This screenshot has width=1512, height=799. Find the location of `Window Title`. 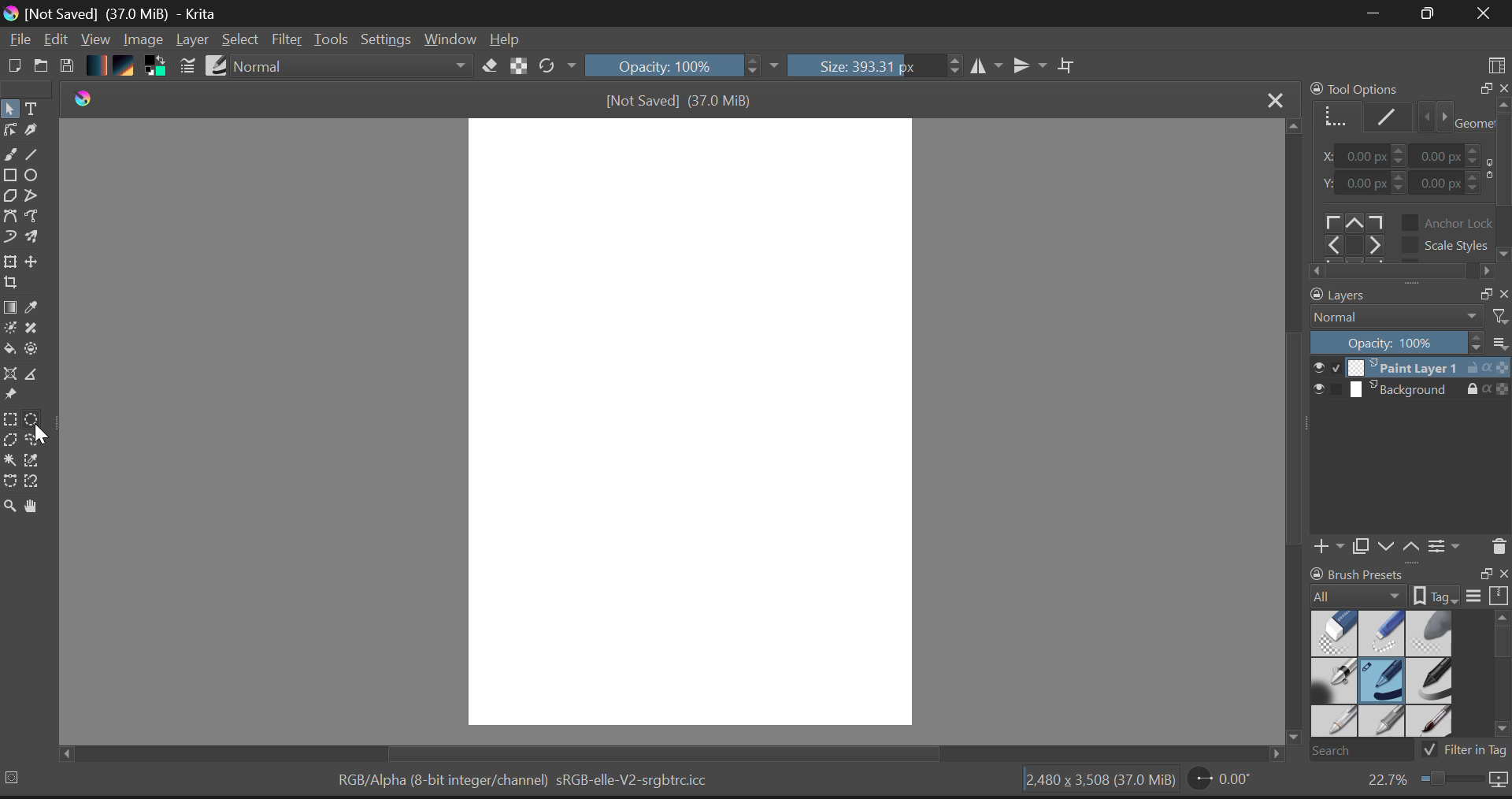

Window Title is located at coordinates (117, 13).